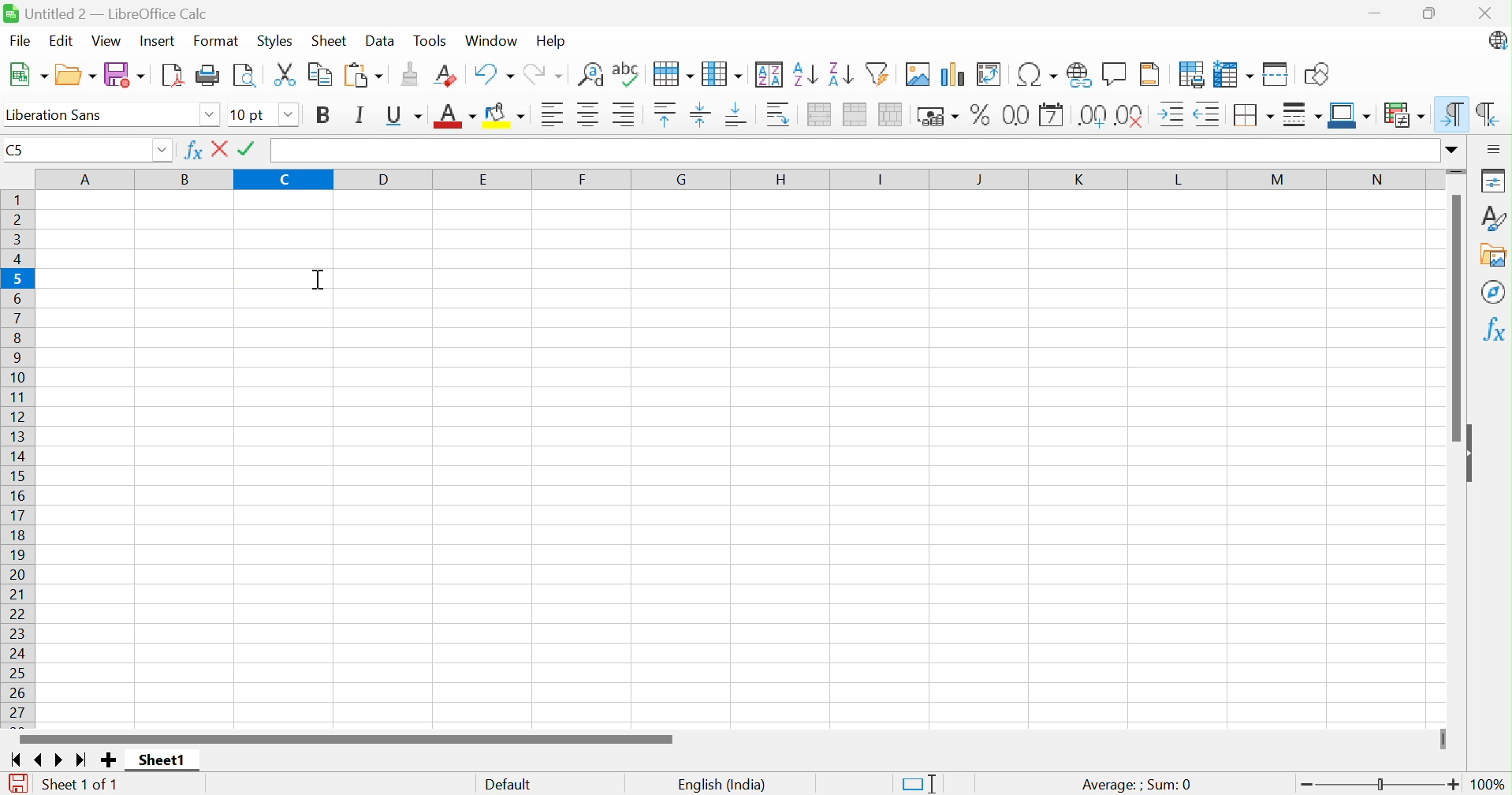 The image size is (1512, 795). I want to click on Merge and center or unmerge cells depending on the current toggle state, so click(821, 115).